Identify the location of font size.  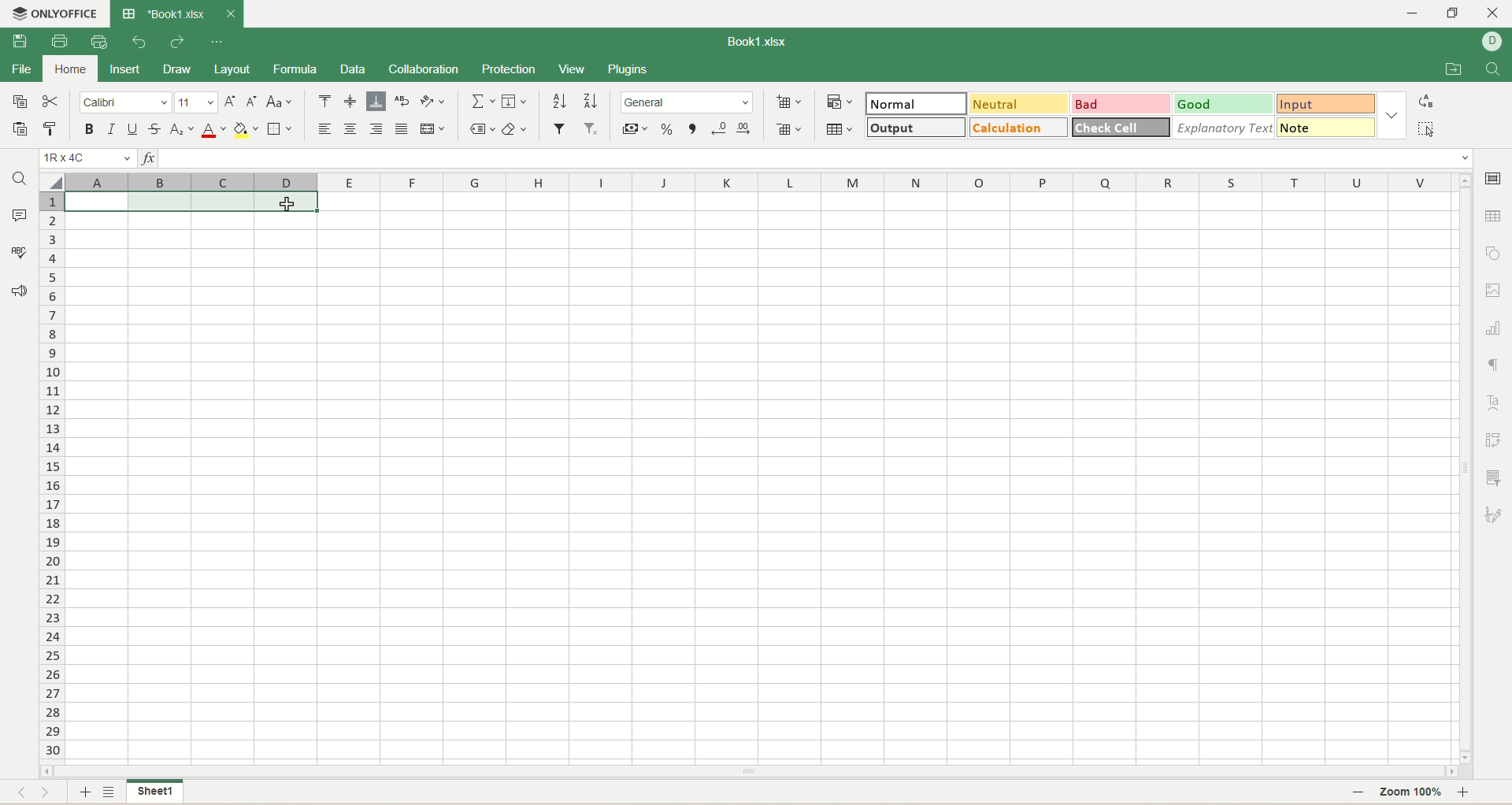
(196, 102).